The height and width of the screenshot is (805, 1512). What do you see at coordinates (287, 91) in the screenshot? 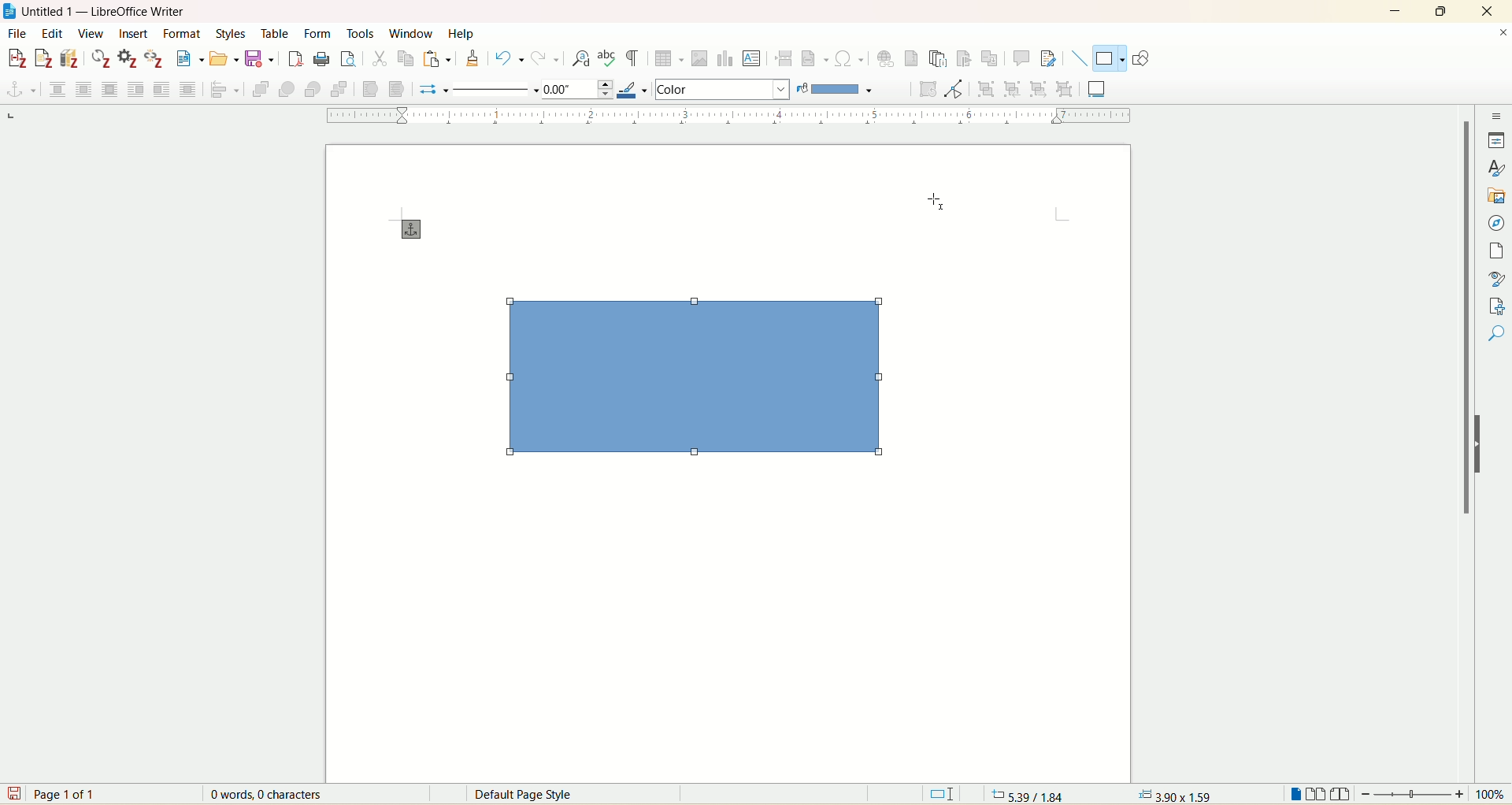
I see `forward one` at bounding box center [287, 91].